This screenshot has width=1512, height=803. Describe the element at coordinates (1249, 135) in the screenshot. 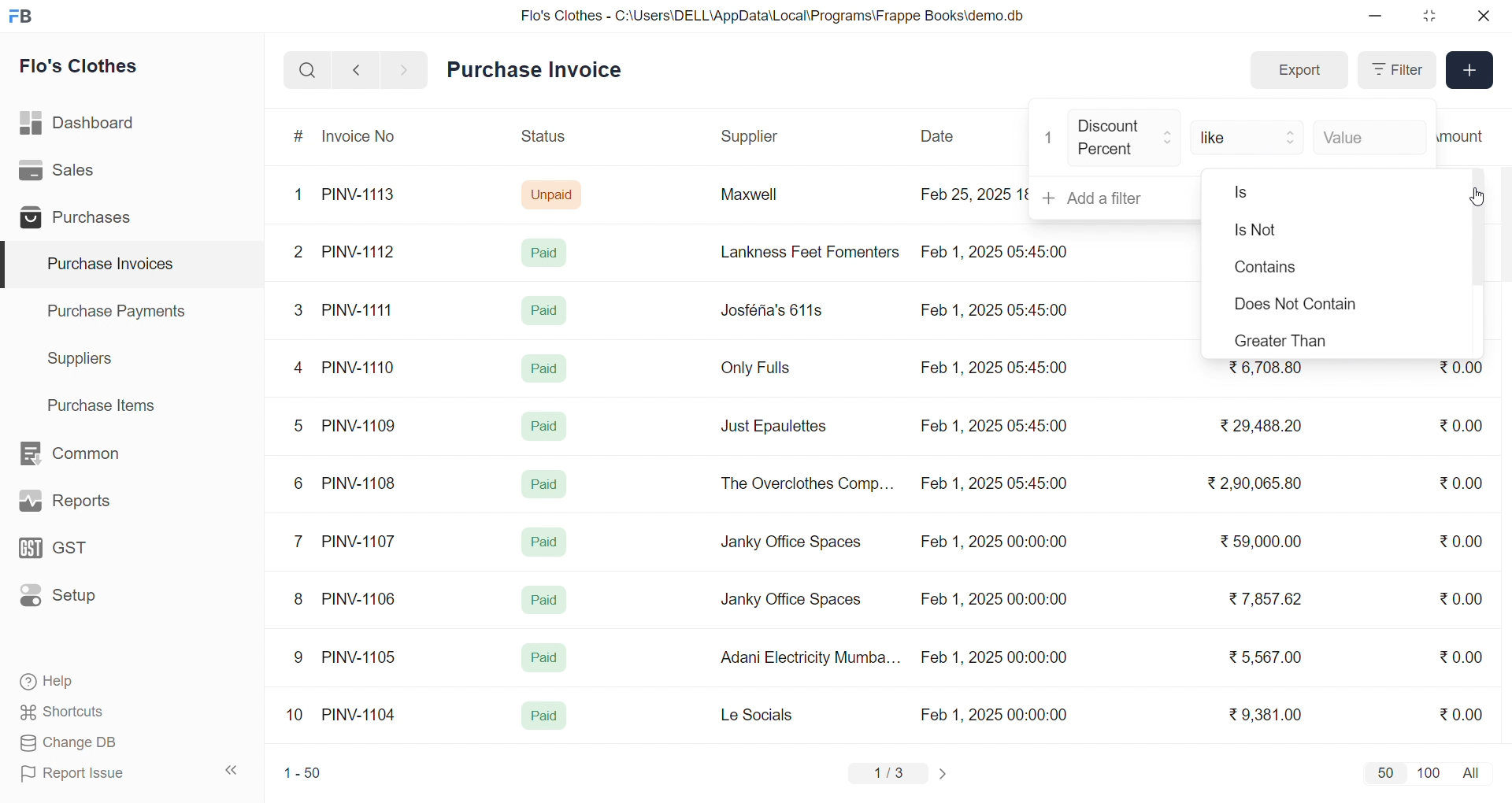

I see `like` at that location.